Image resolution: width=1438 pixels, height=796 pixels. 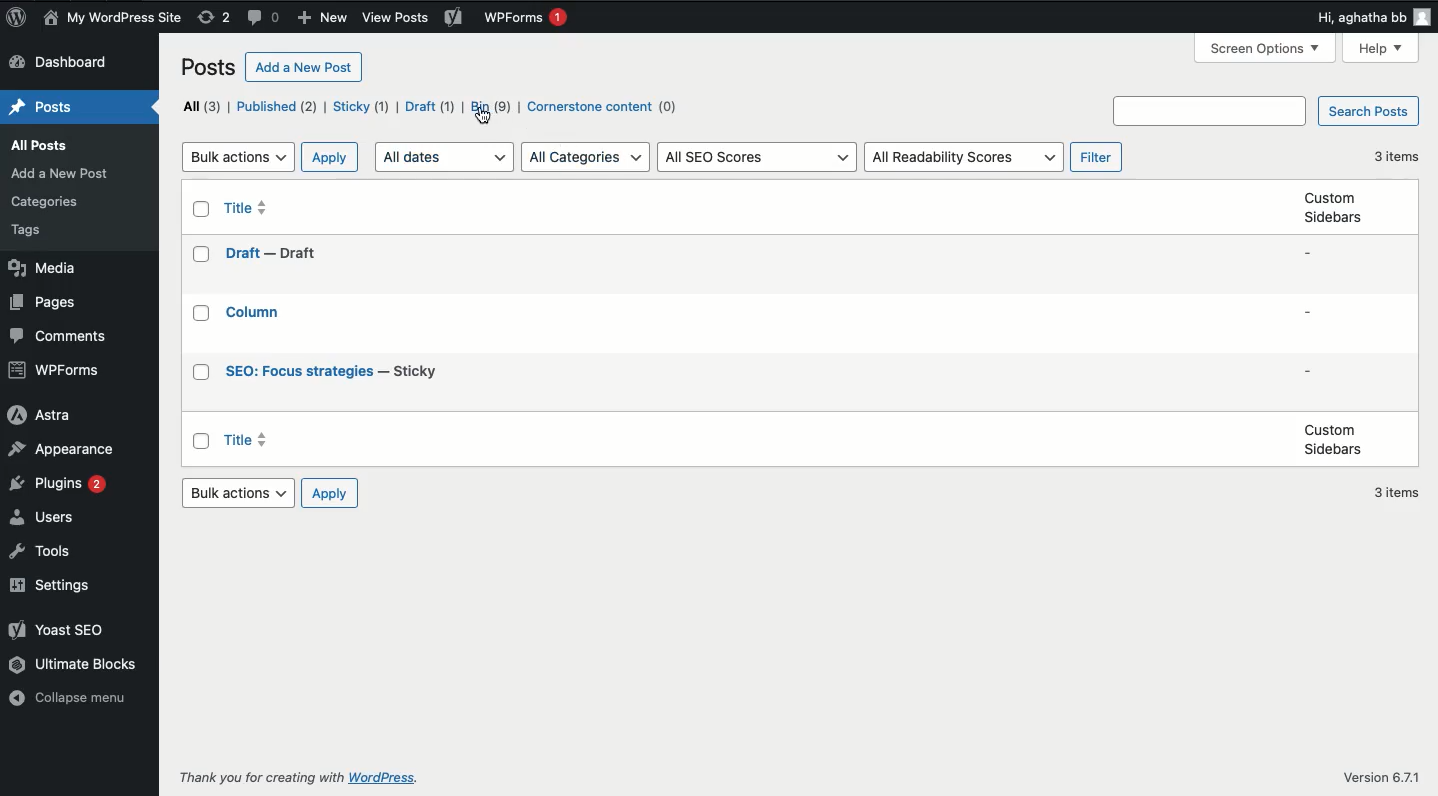 I want to click on Checkbox, so click(x=202, y=209).